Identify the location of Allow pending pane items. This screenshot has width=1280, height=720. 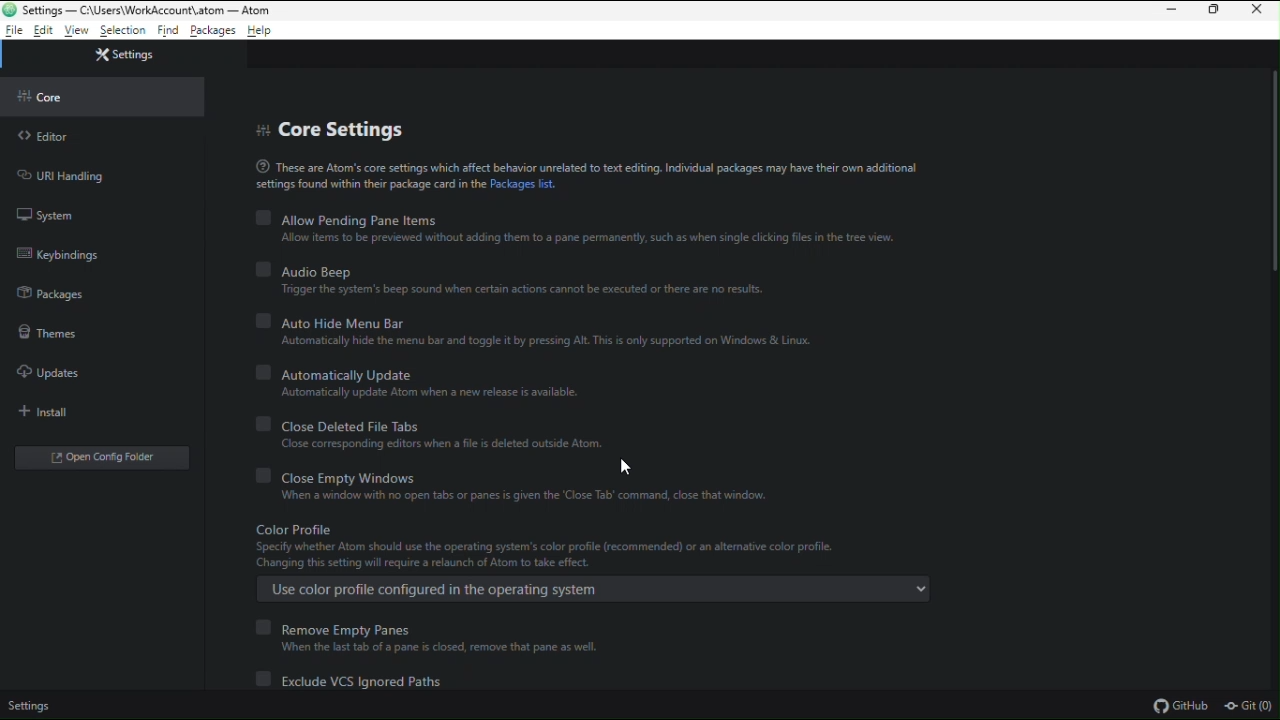
(577, 228).